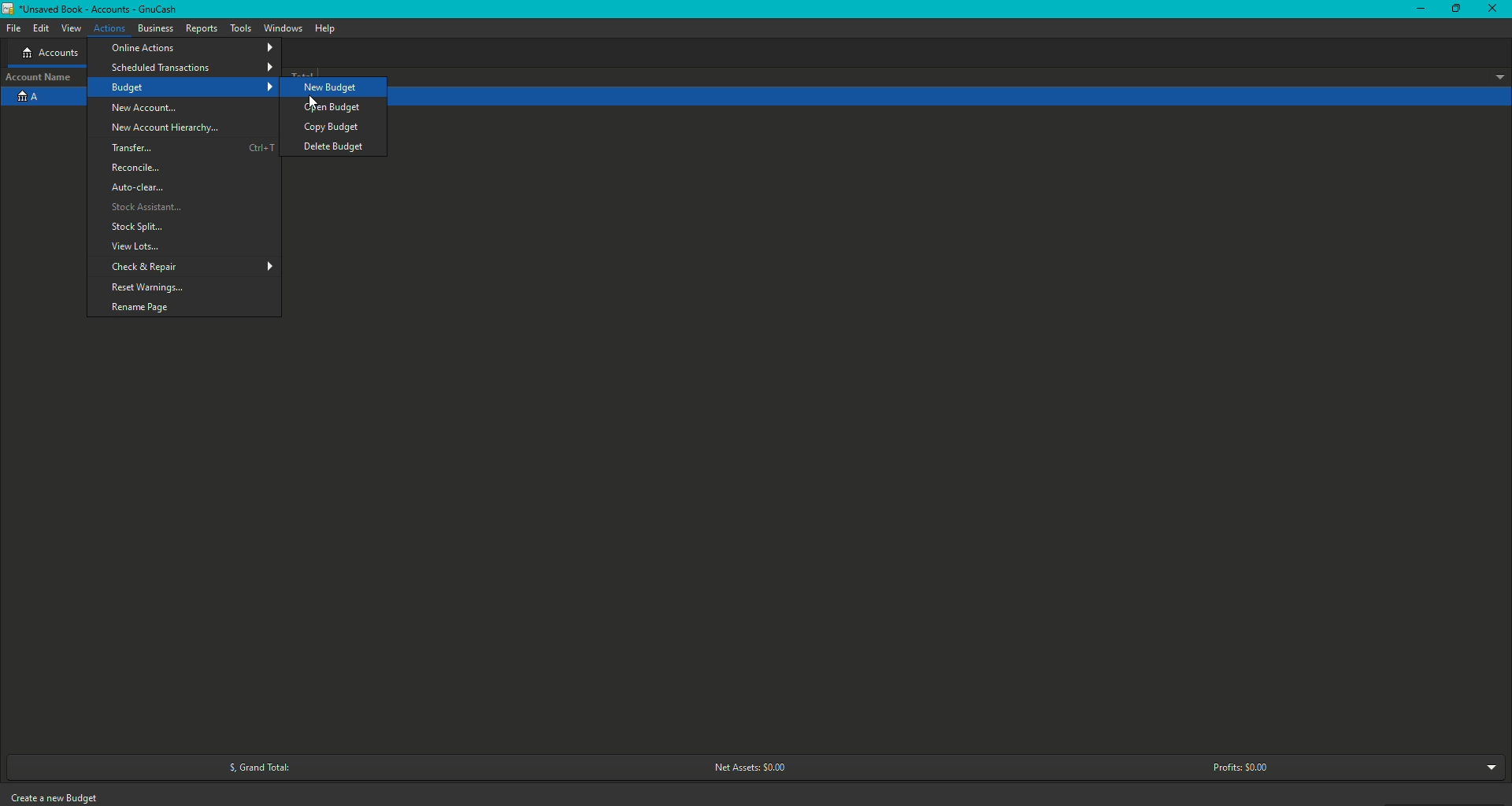 The image size is (1512, 806). Describe the element at coordinates (331, 107) in the screenshot. I see `Open Budget` at that location.